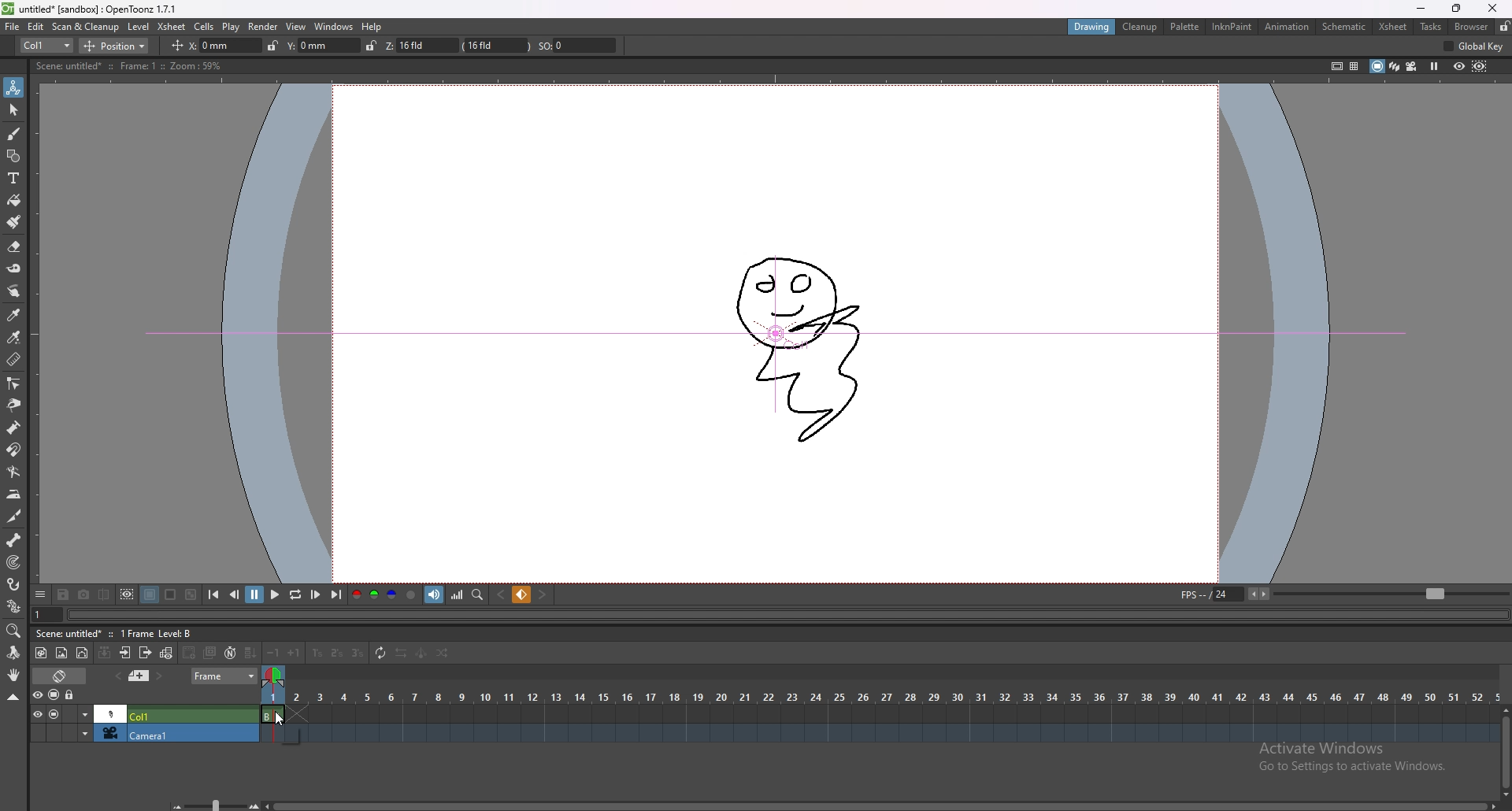 The height and width of the screenshot is (811, 1512). I want to click on cutter, so click(14, 517).